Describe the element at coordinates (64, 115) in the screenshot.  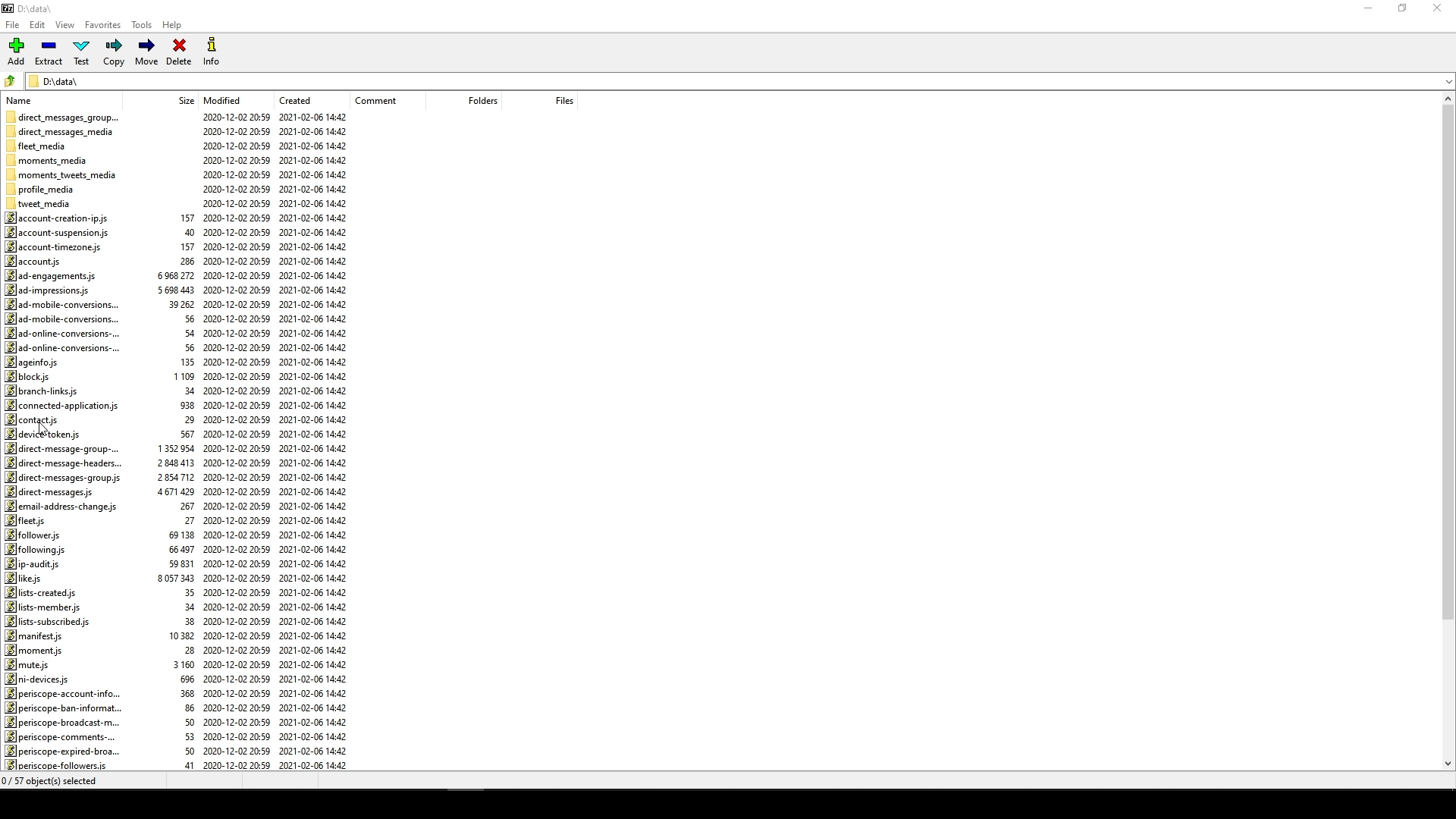
I see `direct_messages_group` at that location.